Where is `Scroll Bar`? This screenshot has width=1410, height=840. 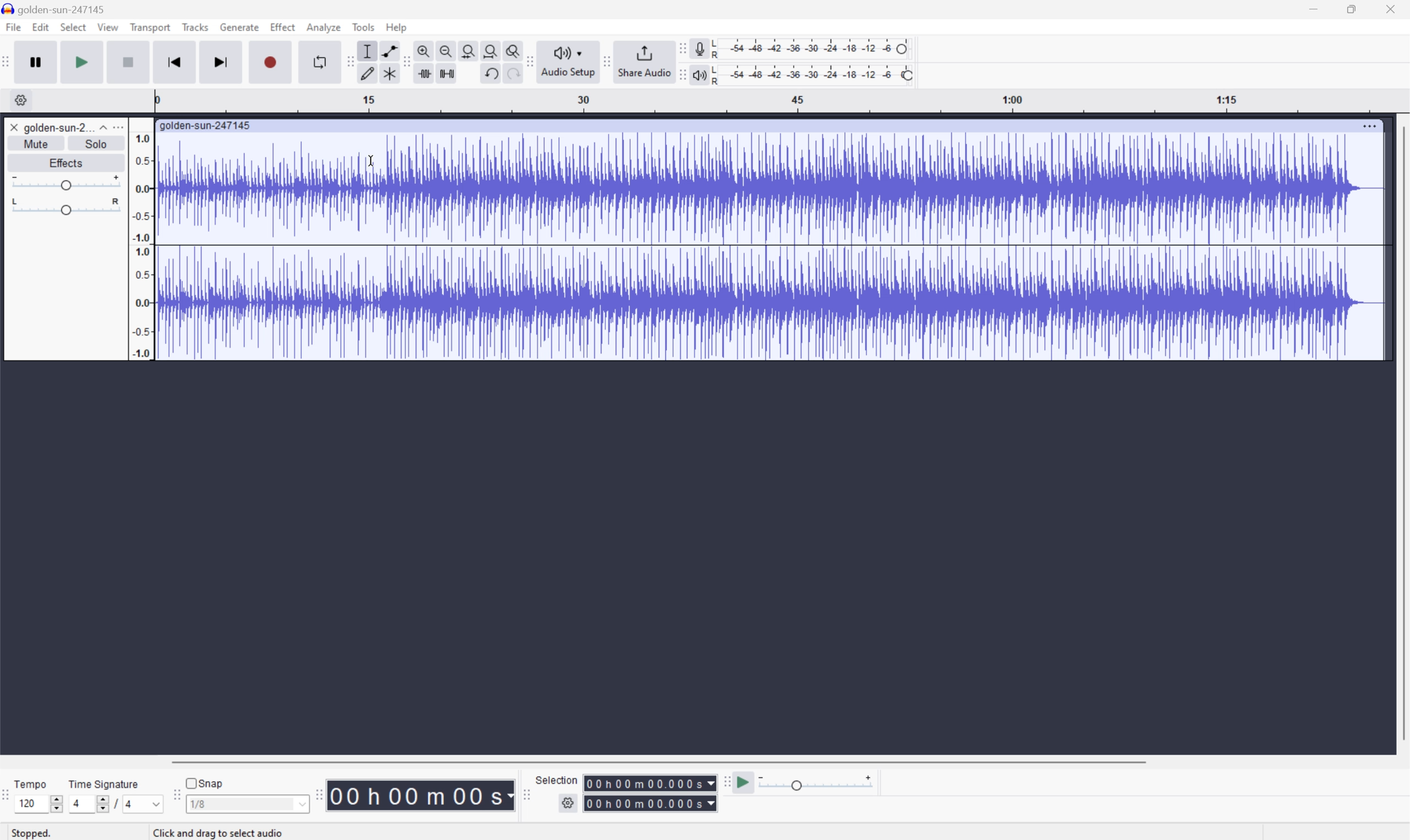
Scroll Bar is located at coordinates (1401, 434).